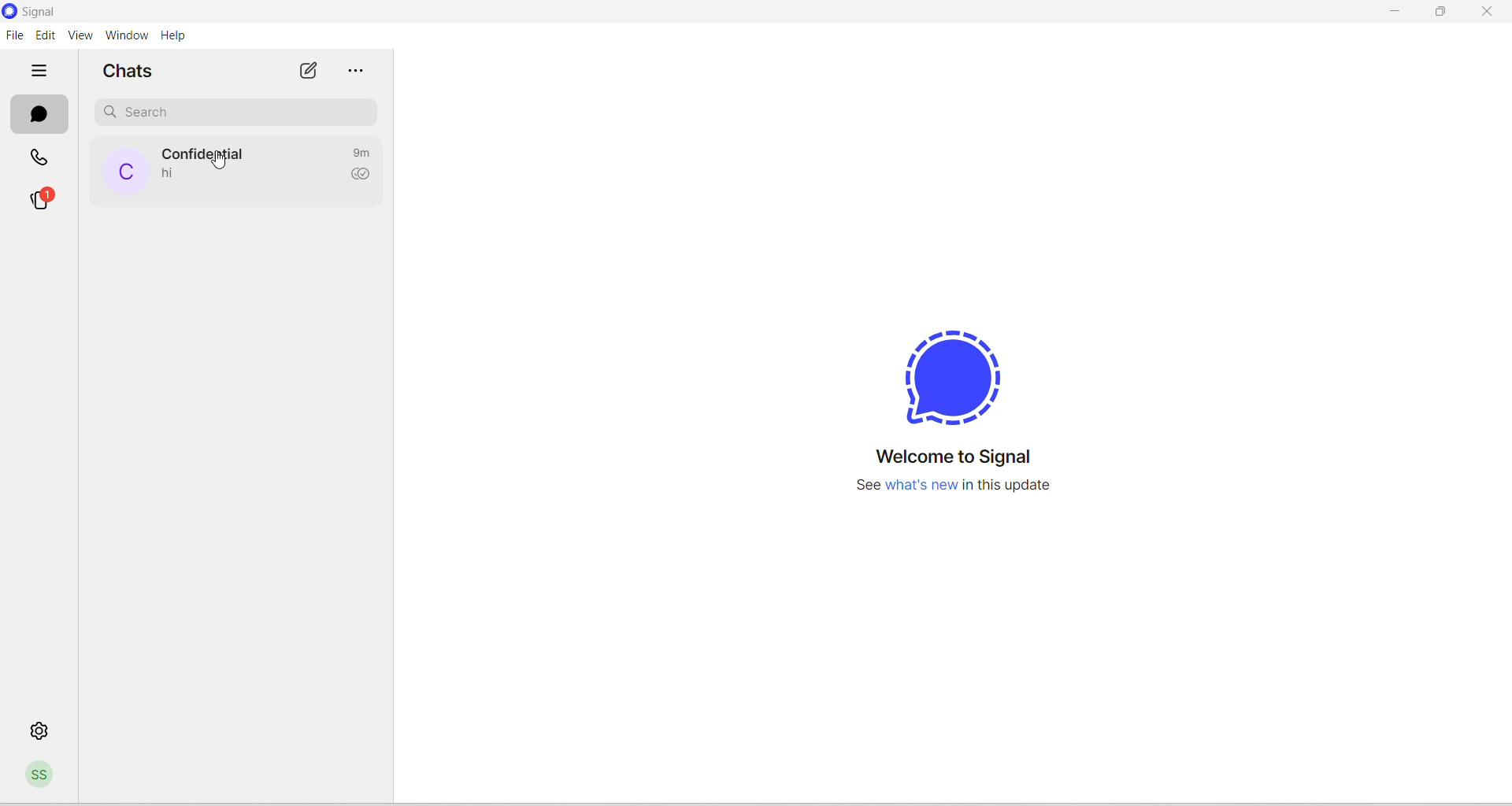 The image size is (1512, 806). I want to click on maximize, so click(1444, 14).